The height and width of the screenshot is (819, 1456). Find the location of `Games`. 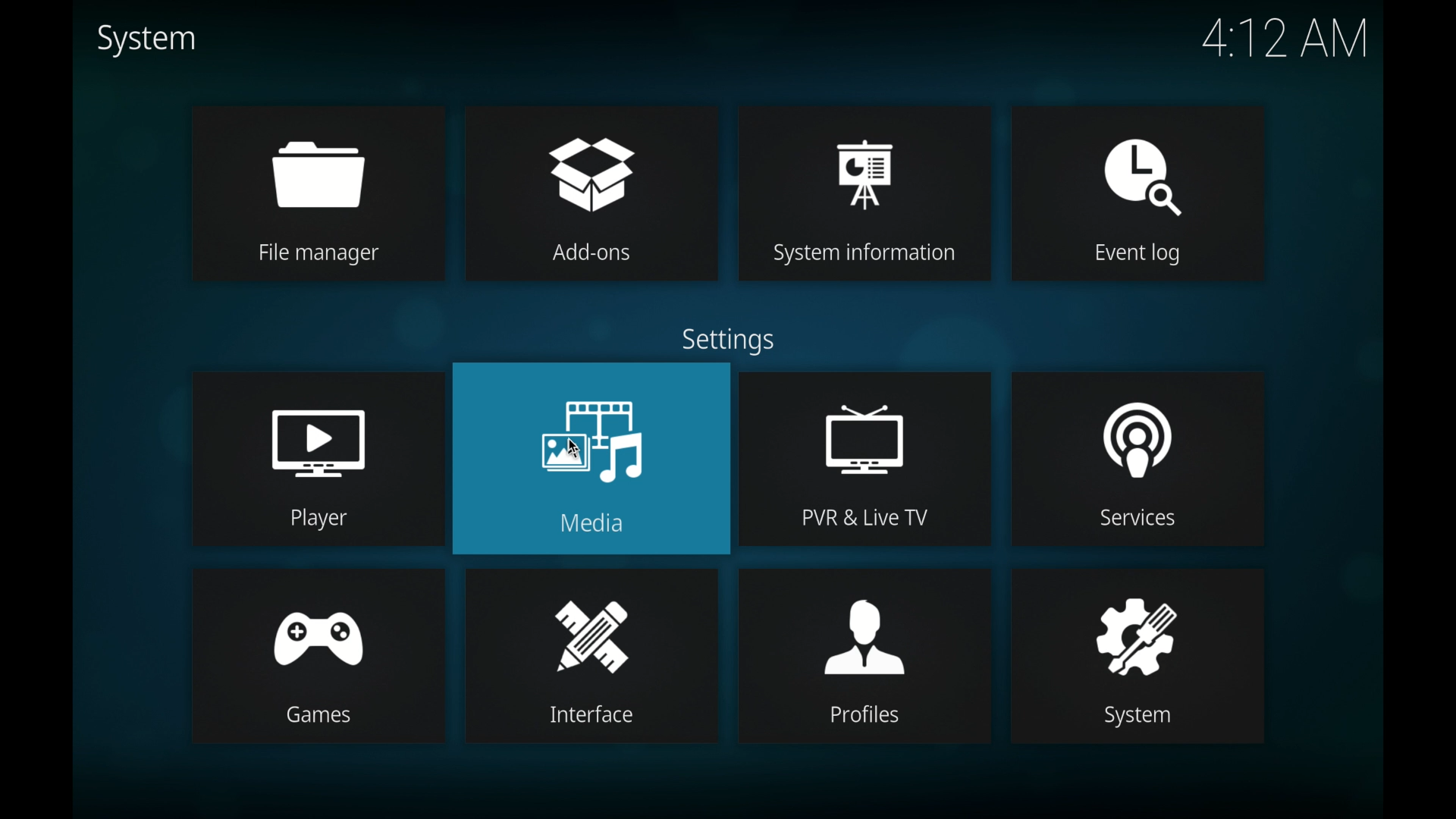

Games is located at coordinates (324, 714).